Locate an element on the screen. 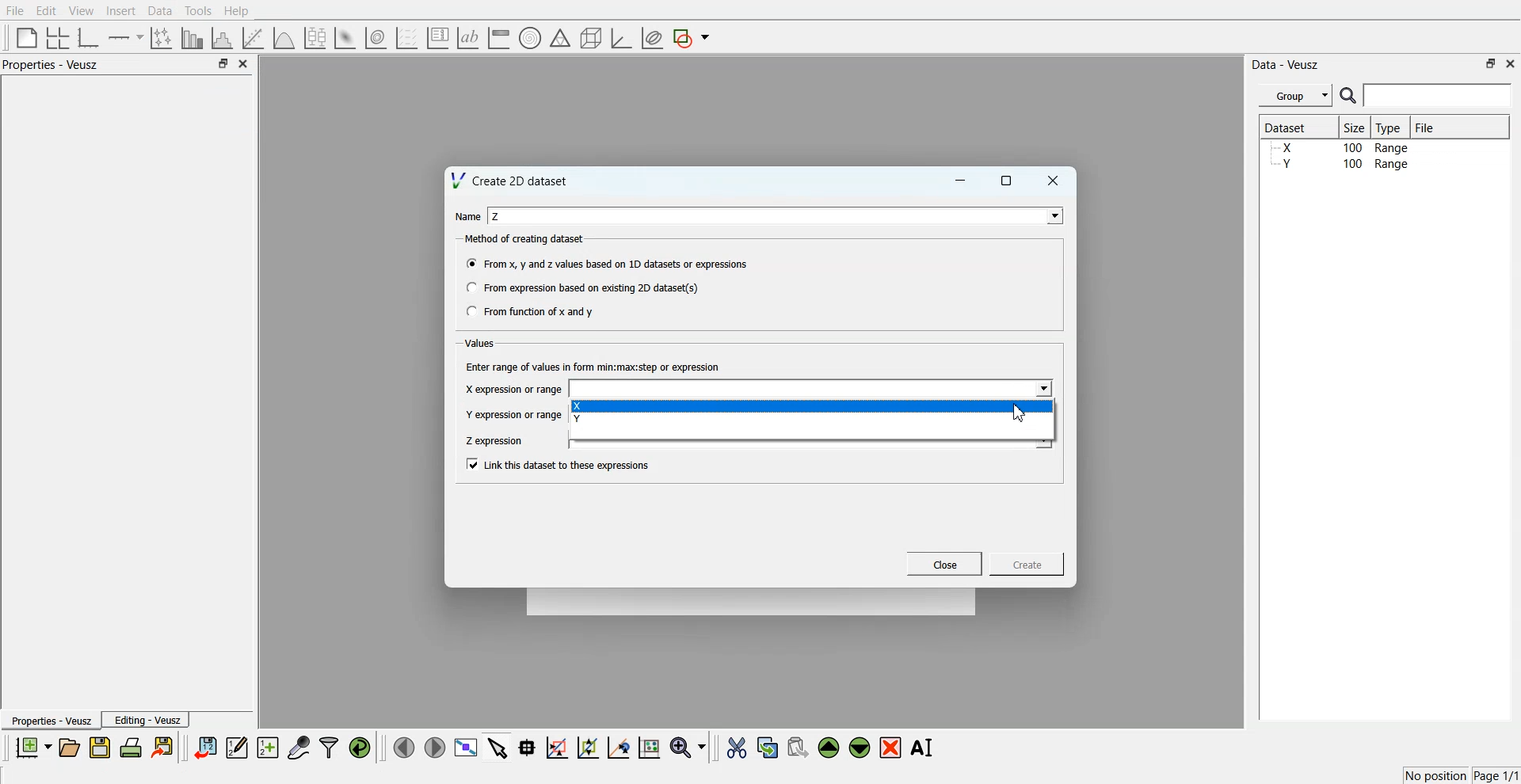  From function of x and y is located at coordinates (532, 310).